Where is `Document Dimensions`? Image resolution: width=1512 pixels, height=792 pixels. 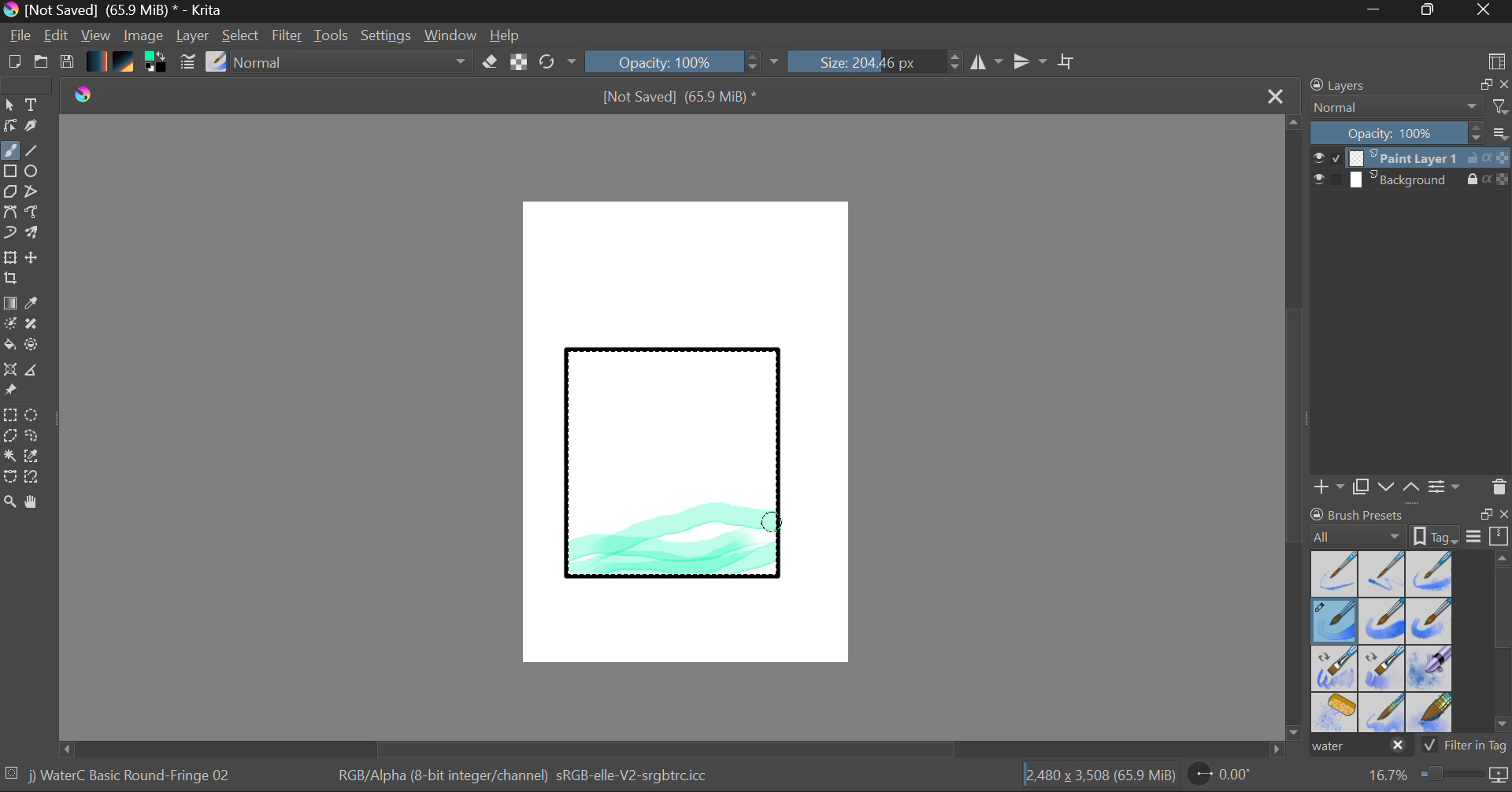
Document Dimensions is located at coordinates (1099, 778).